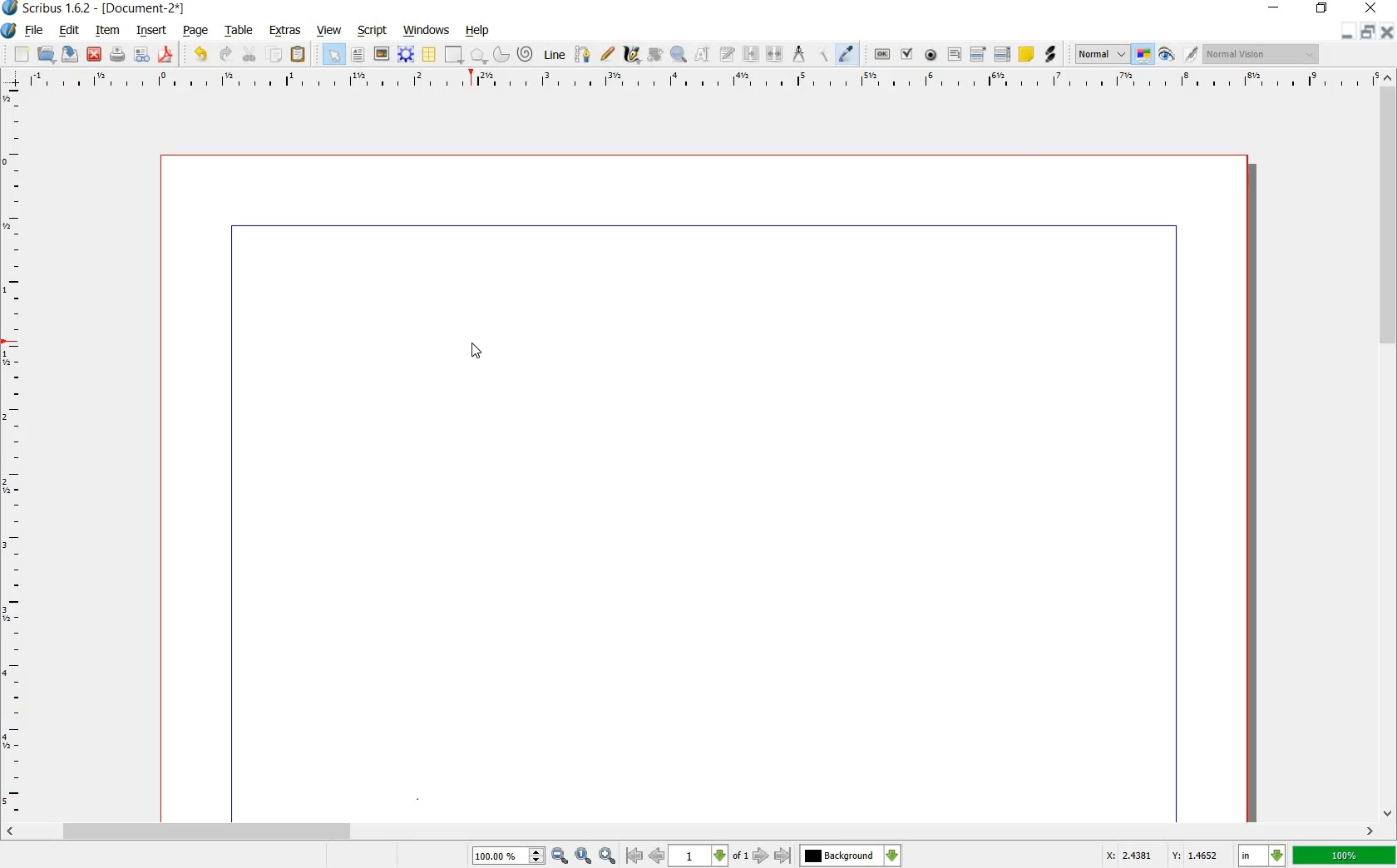 The image size is (1397, 868). What do you see at coordinates (1167, 55) in the screenshot?
I see `PREVIEW MODE` at bounding box center [1167, 55].